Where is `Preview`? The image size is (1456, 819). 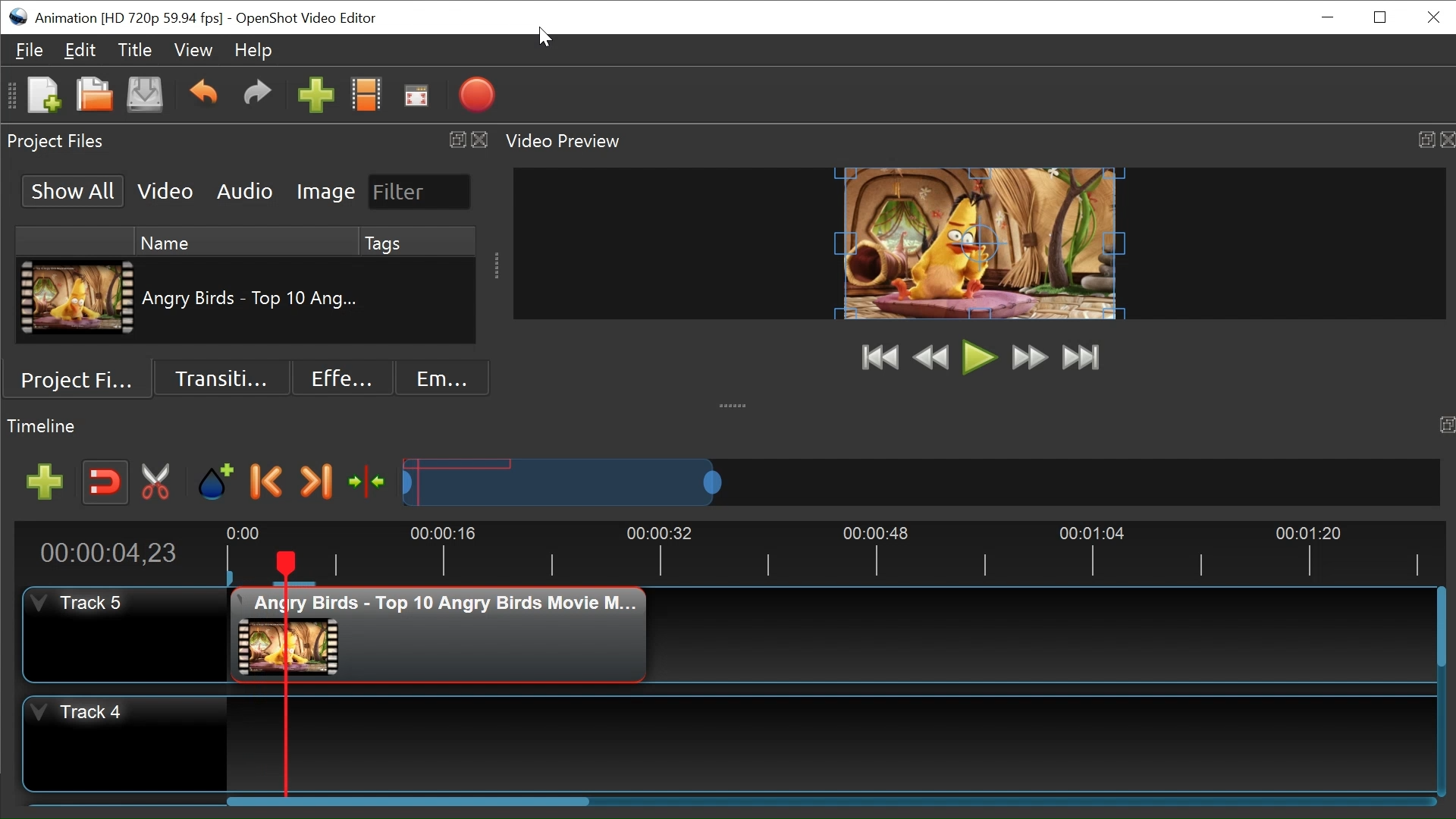 Preview is located at coordinates (930, 359).